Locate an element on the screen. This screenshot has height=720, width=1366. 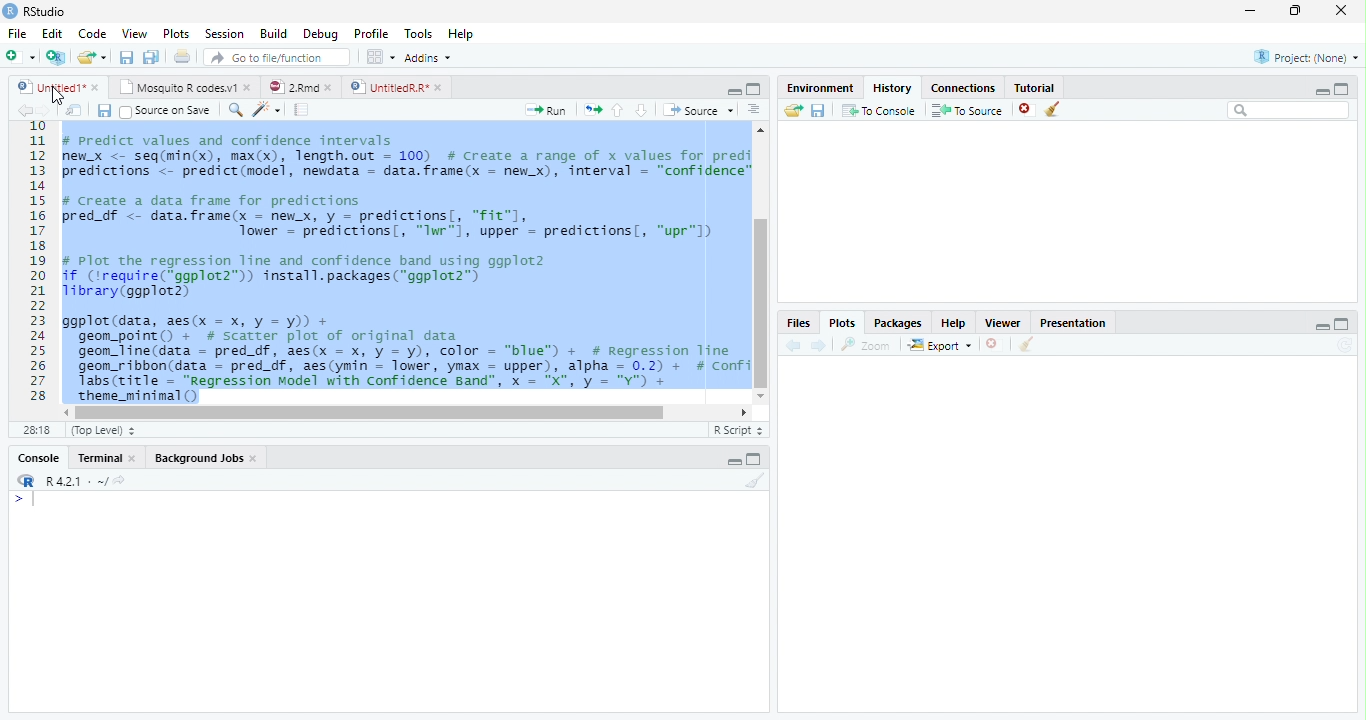
minimize is located at coordinates (1320, 329).